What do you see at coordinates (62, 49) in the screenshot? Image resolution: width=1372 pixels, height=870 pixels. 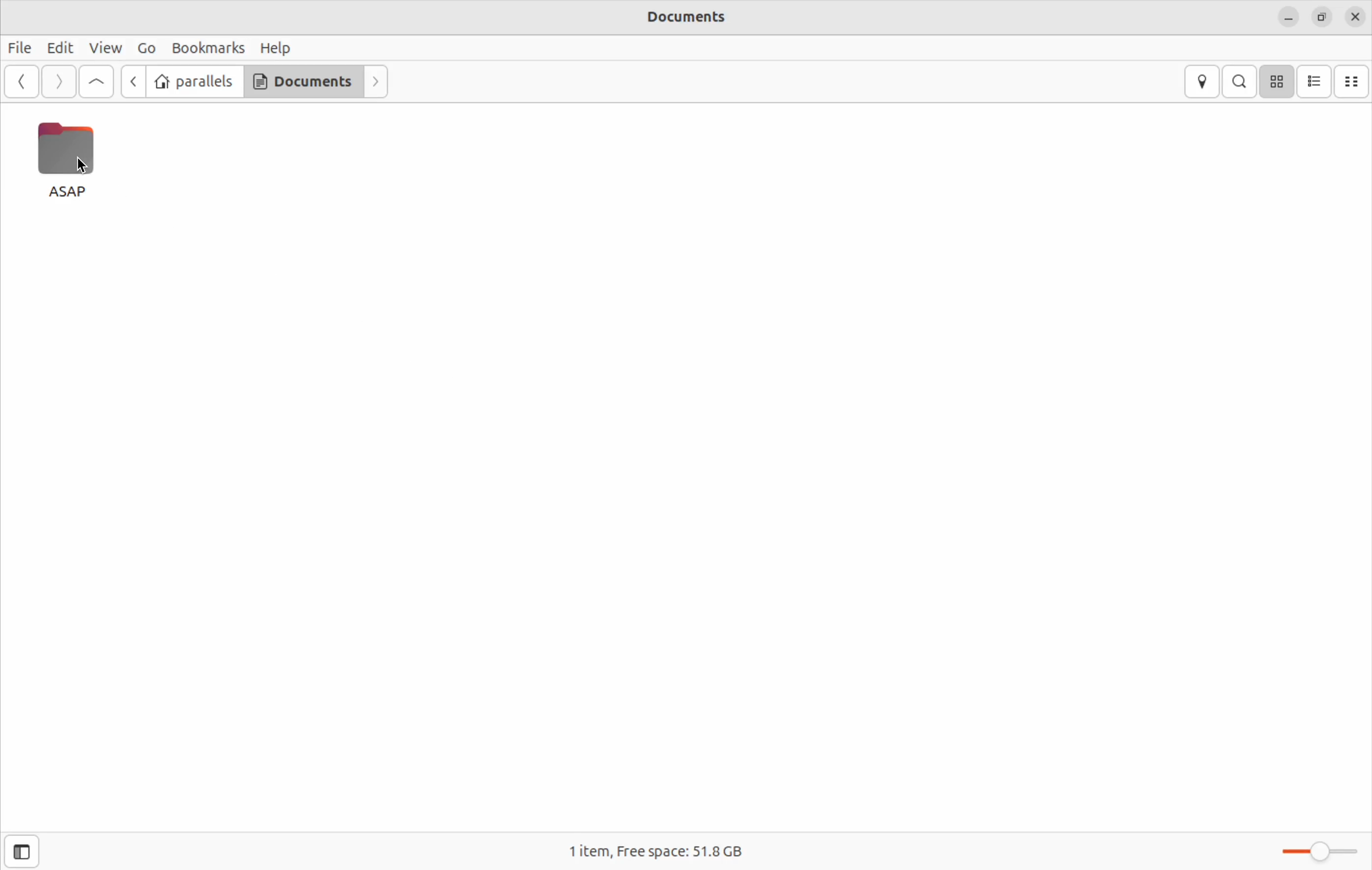 I see `Edit` at bounding box center [62, 49].